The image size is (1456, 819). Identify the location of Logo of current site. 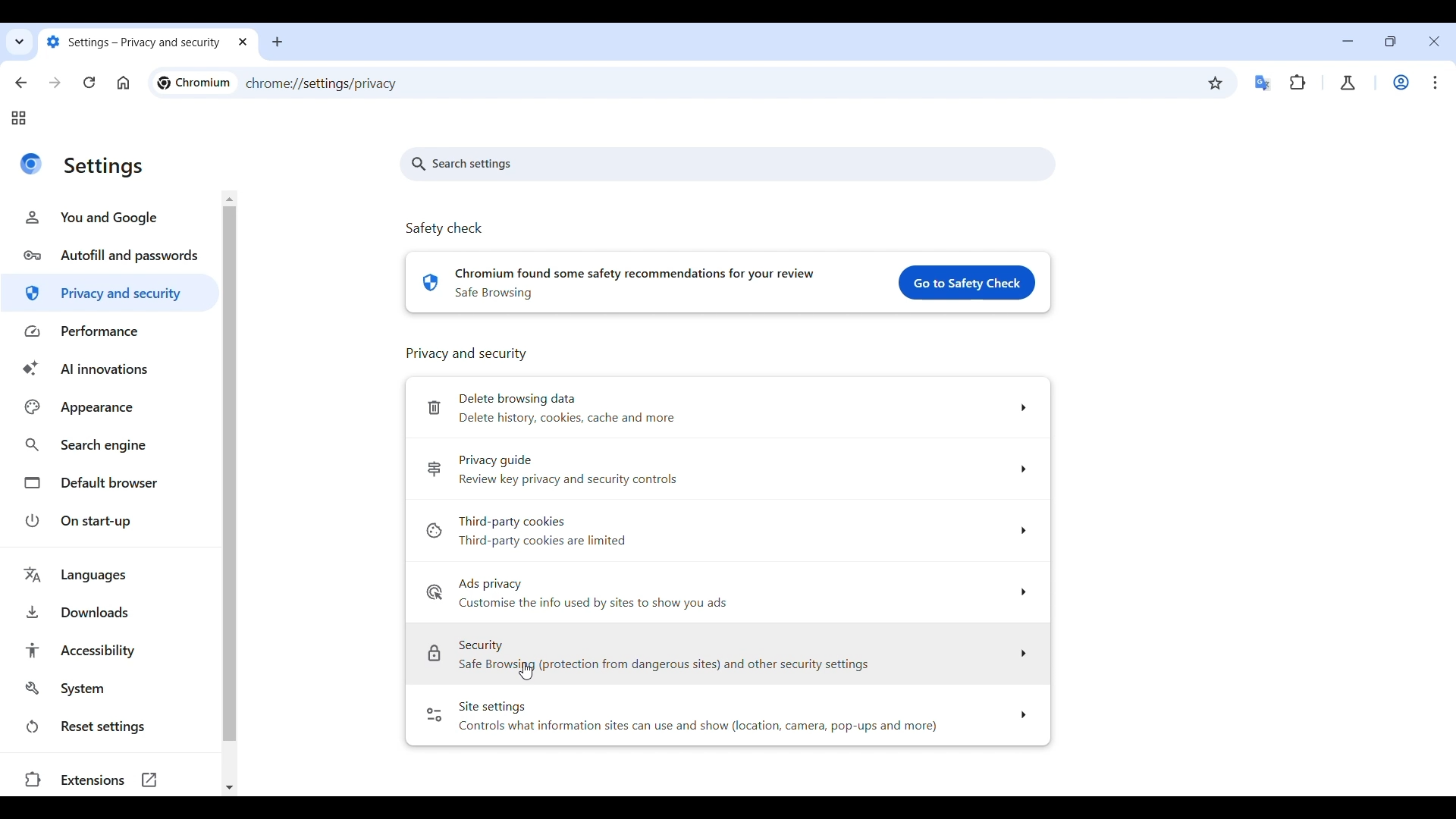
(31, 165).